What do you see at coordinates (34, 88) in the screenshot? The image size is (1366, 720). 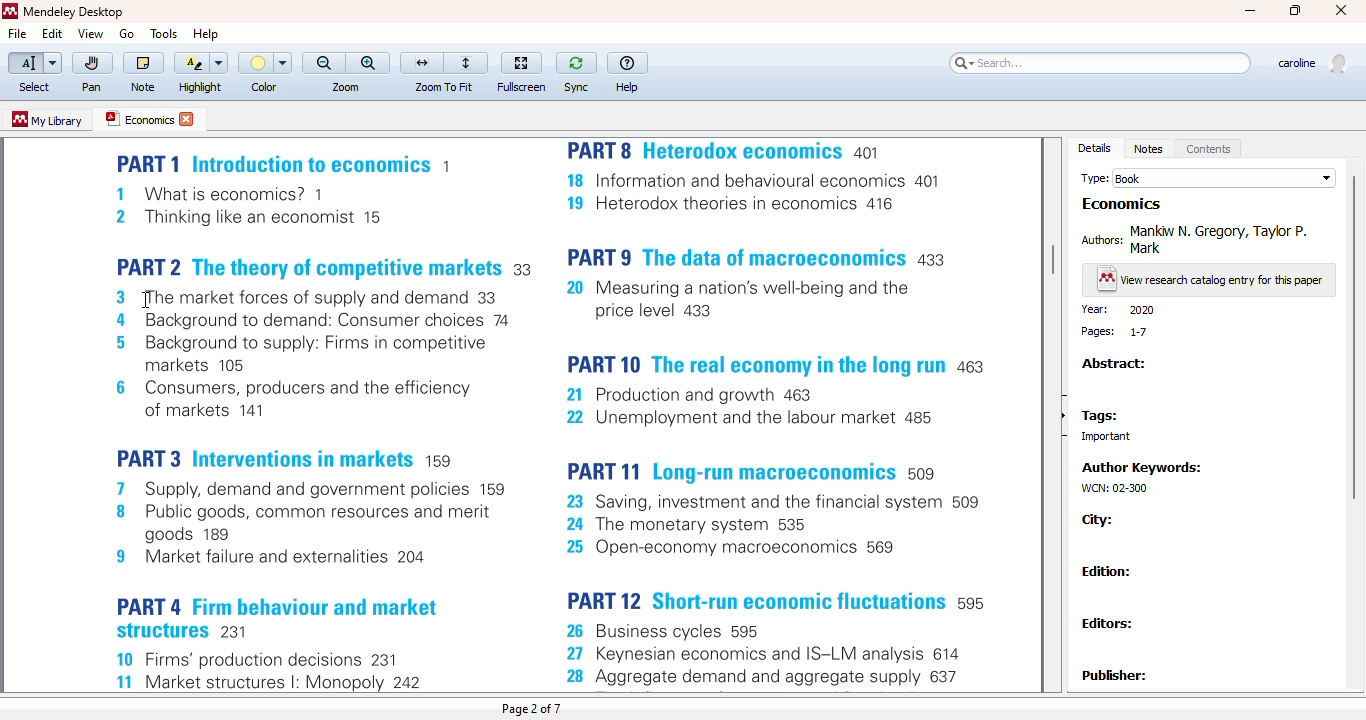 I see `select` at bounding box center [34, 88].